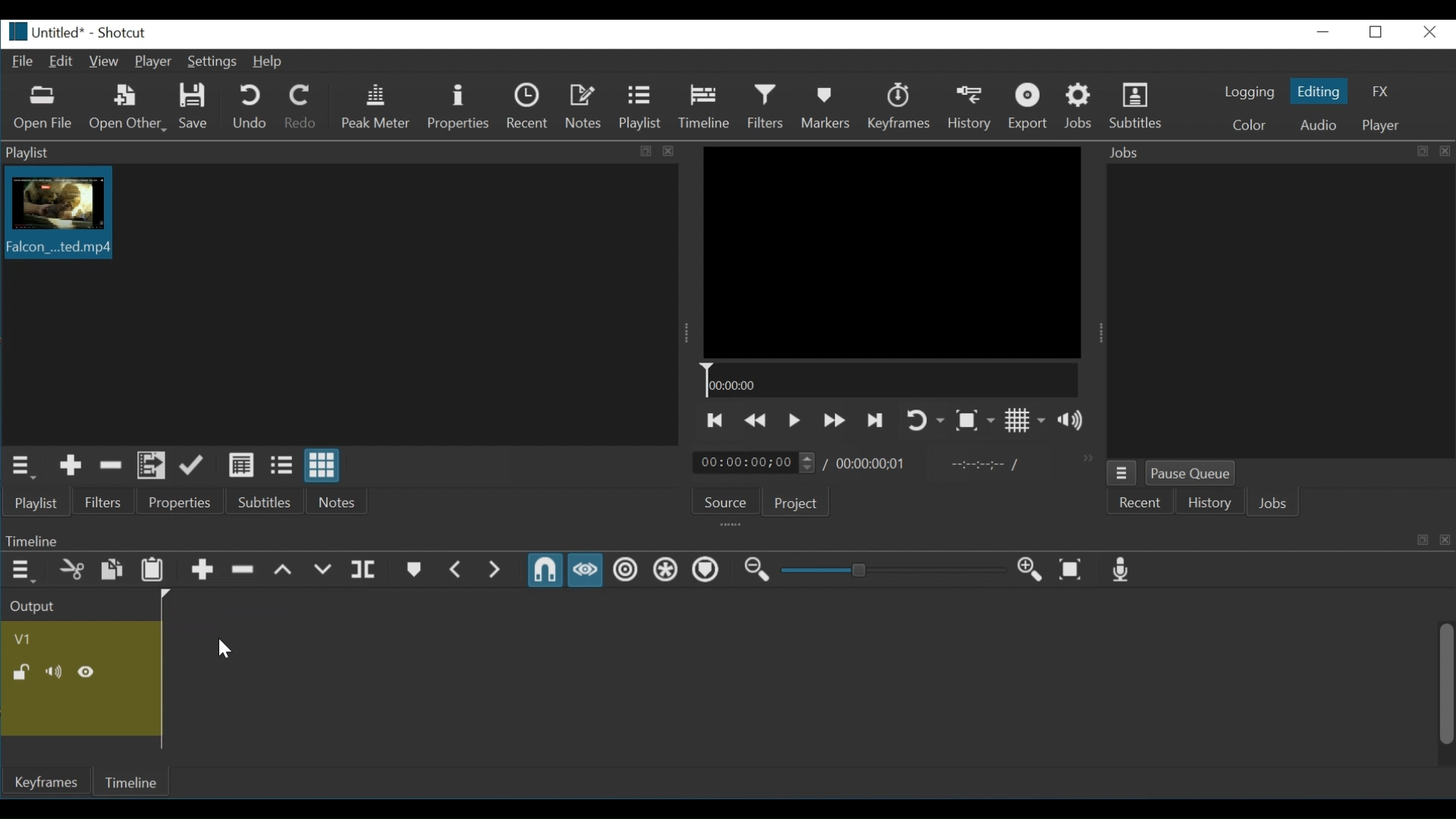 The height and width of the screenshot is (819, 1456). Describe the element at coordinates (766, 106) in the screenshot. I see `Filters` at that location.